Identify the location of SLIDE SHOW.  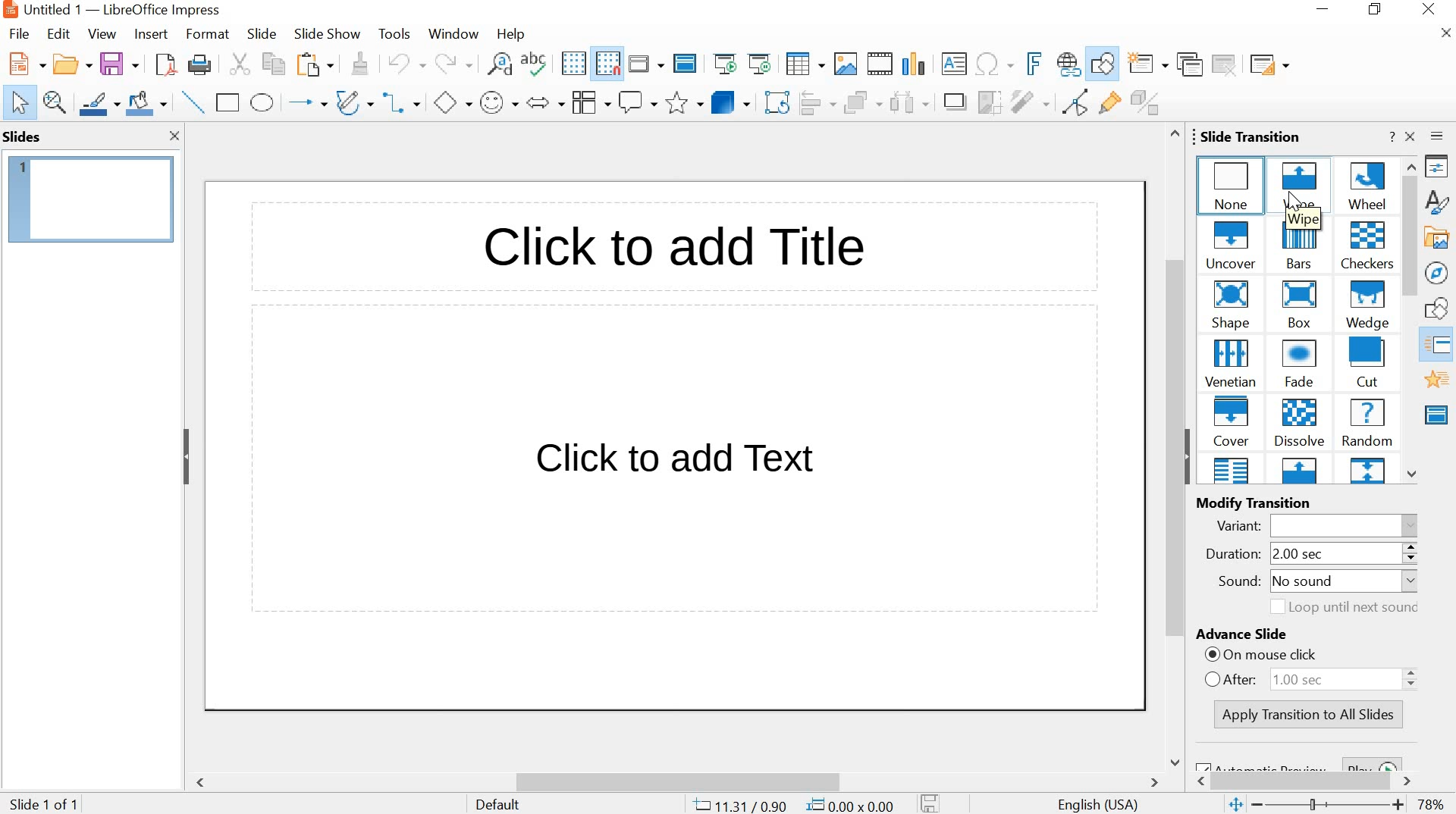
(327, 35).